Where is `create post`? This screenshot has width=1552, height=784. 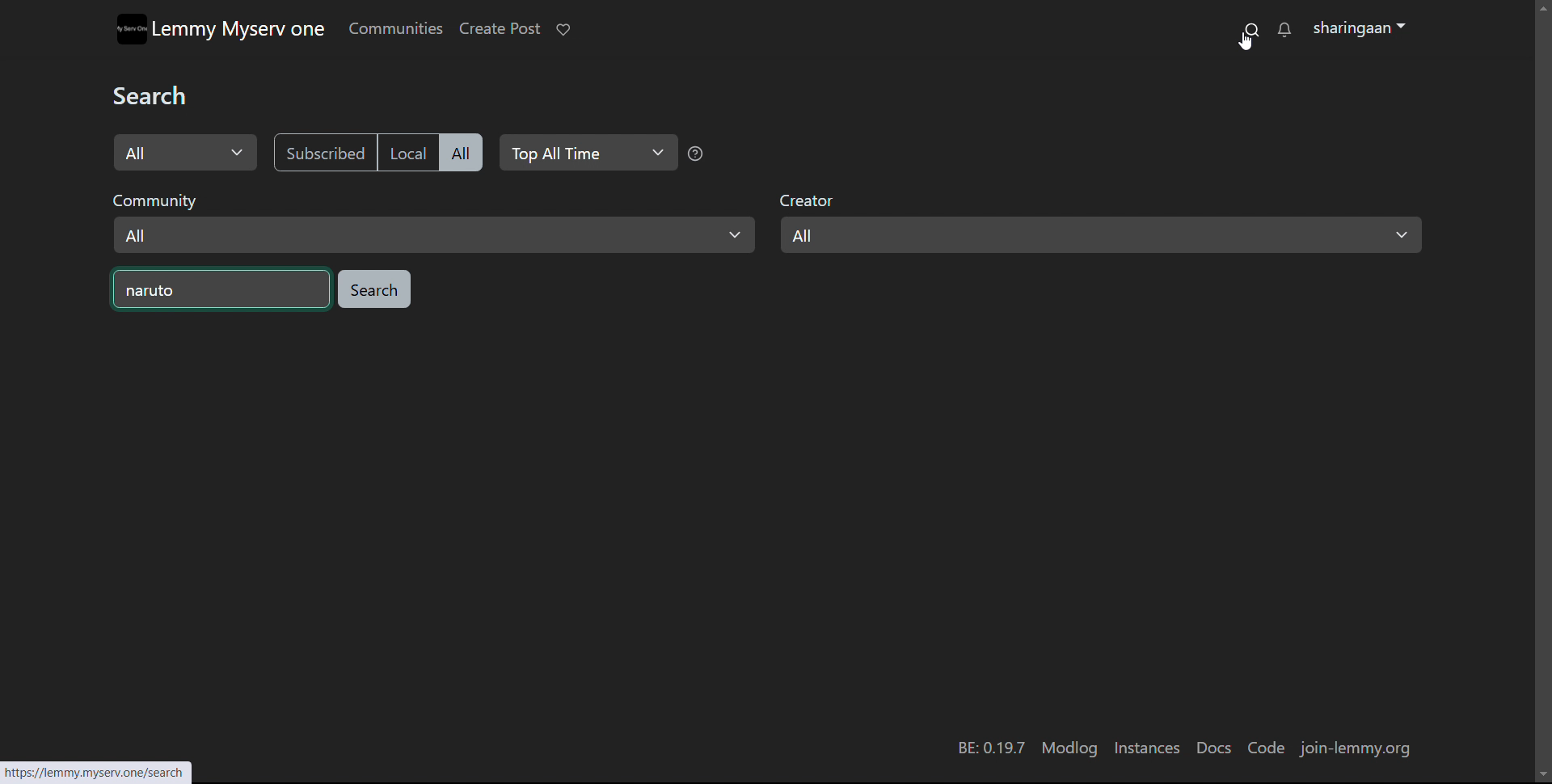
create post is located at coordinates (499, 29).